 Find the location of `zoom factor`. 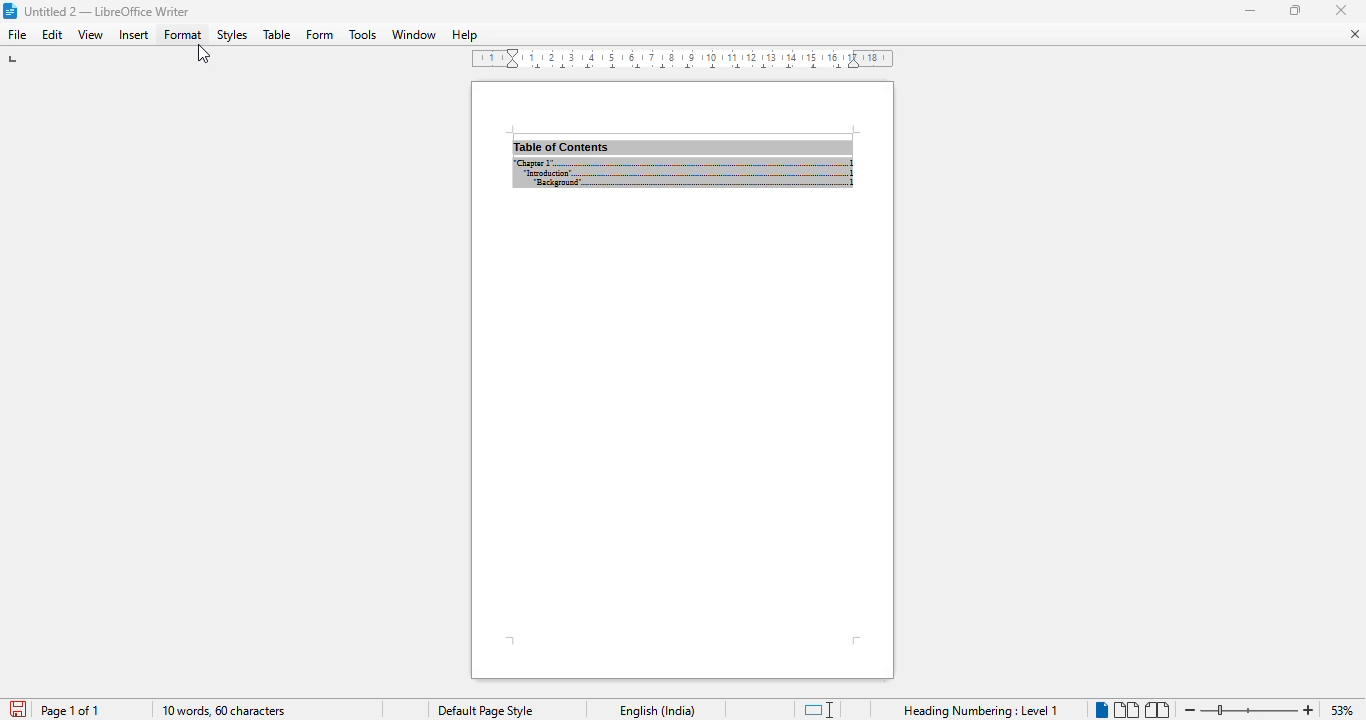

zoom factor is located at coordinates (1341, 710).